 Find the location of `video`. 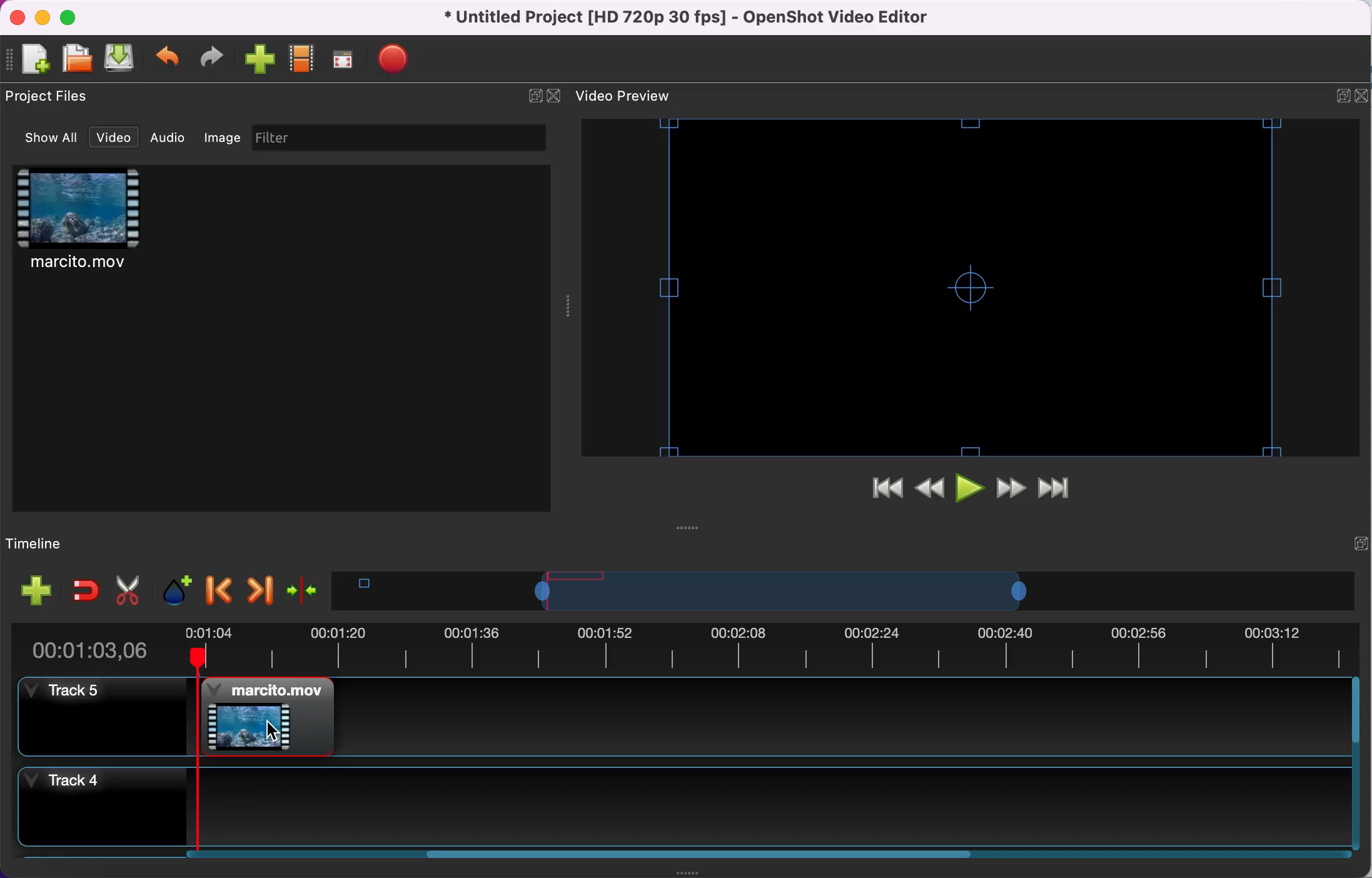

video is located at coordinates (114, 138).